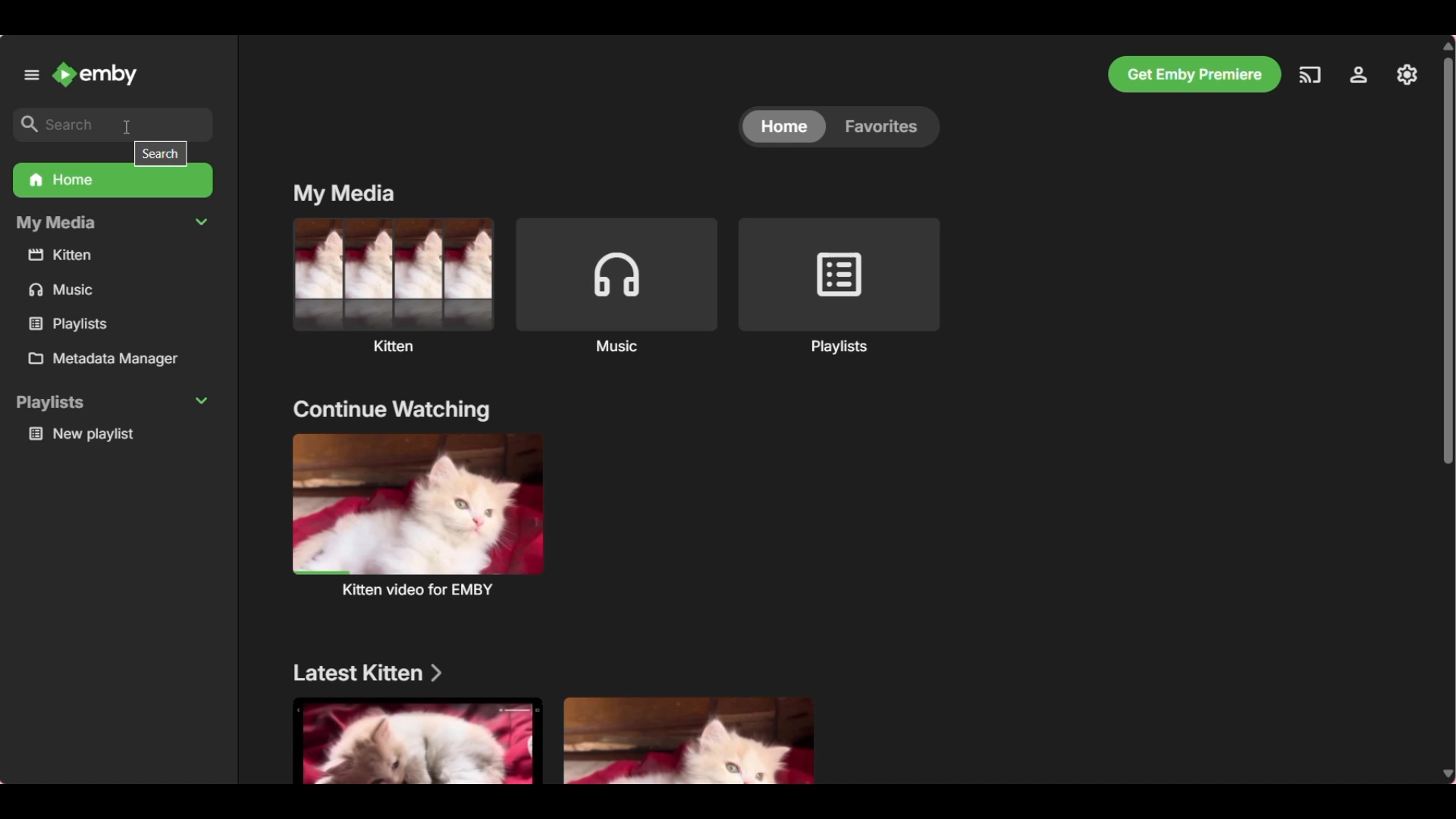 Image resolution: width=1456 pixels, height=819 pixels. Describe the element at coordinates (115, 256) in the screenshot. I see `kitten` at that location.